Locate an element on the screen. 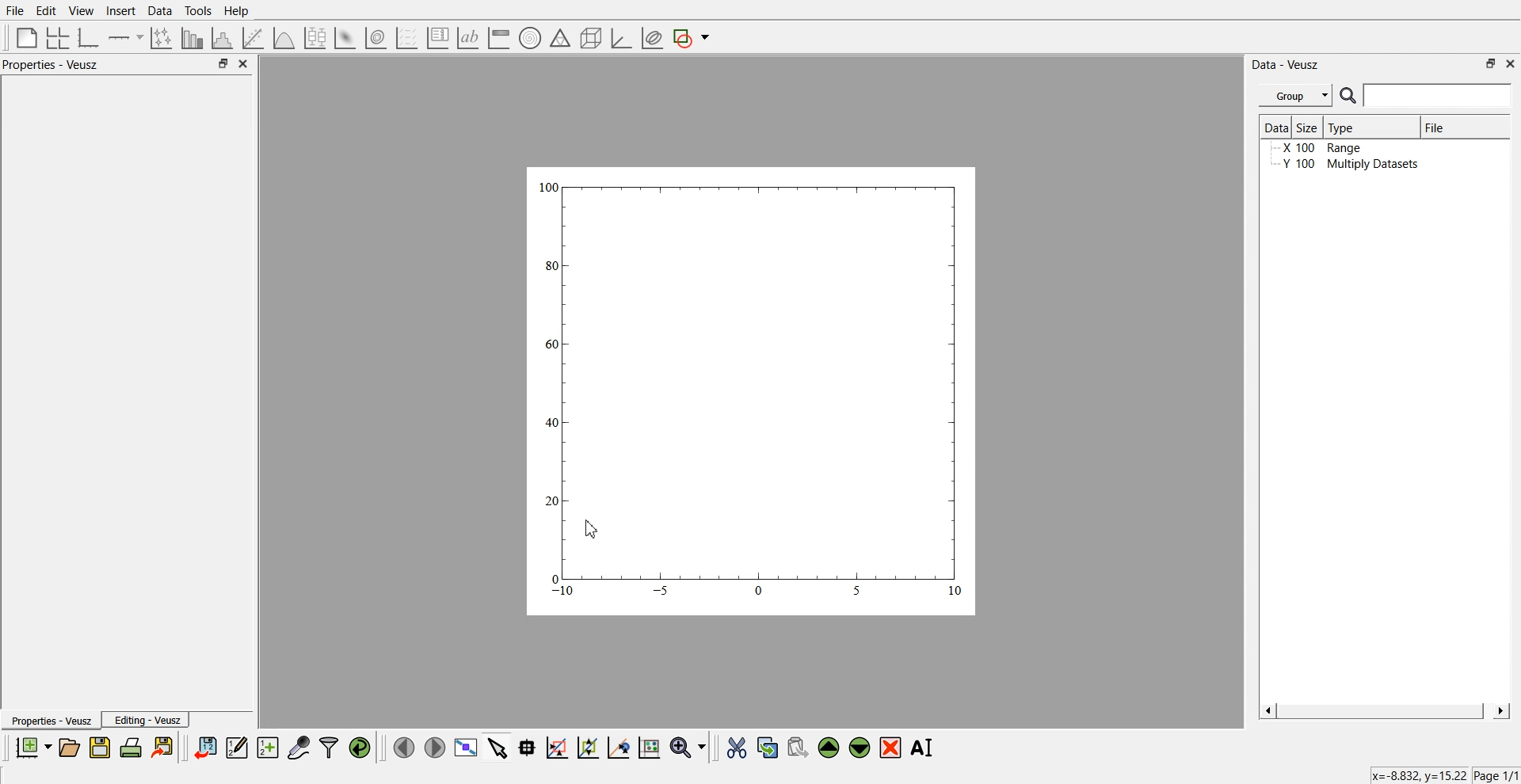 This screenshot has height=784, width=1521. add a shape is located at coordinates (692, 39).